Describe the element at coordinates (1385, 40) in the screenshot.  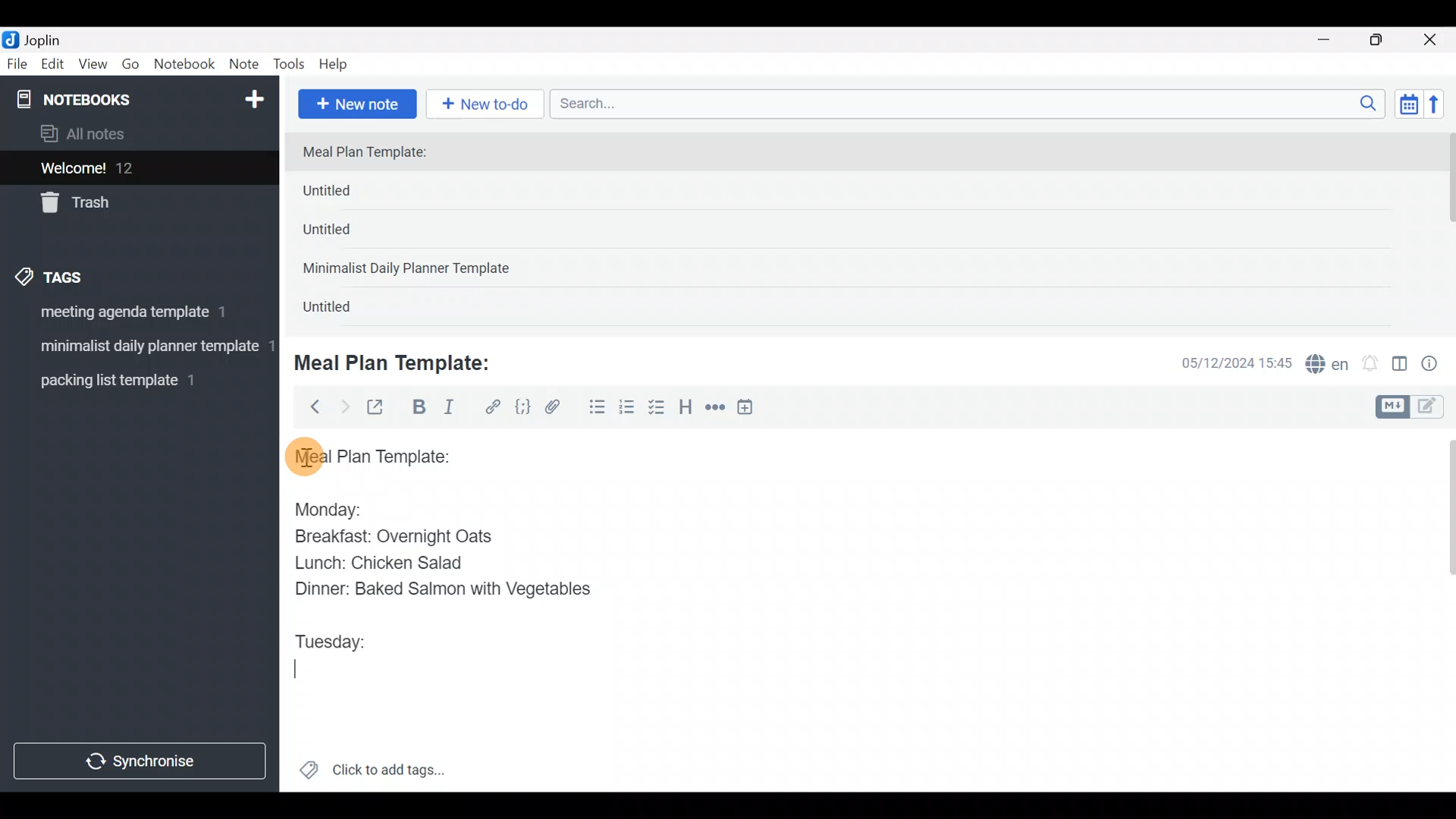
I see `Maximize` at that location.